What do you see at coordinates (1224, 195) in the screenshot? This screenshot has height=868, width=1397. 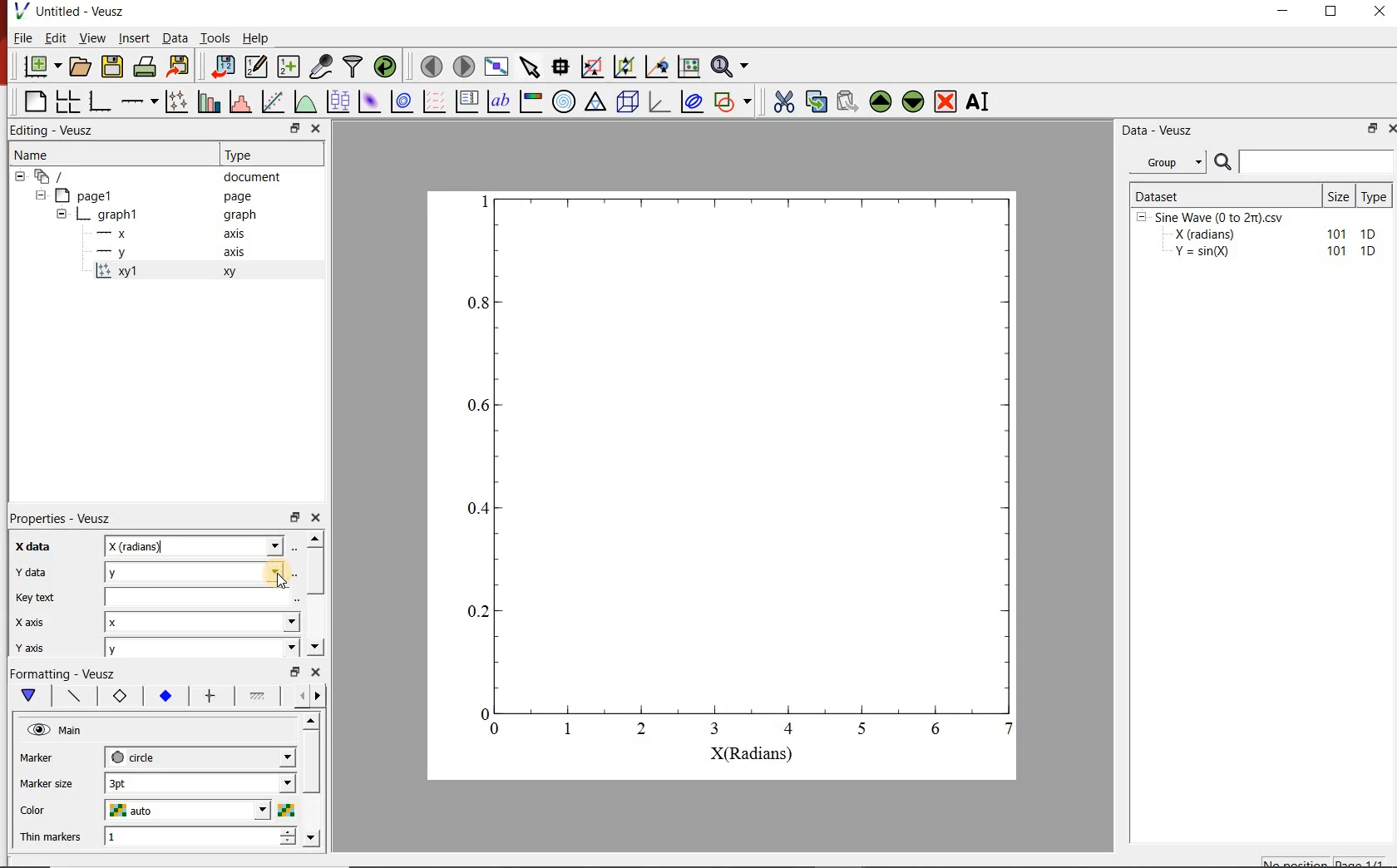 I see `Dataset` at bounding box center [1224, 195].